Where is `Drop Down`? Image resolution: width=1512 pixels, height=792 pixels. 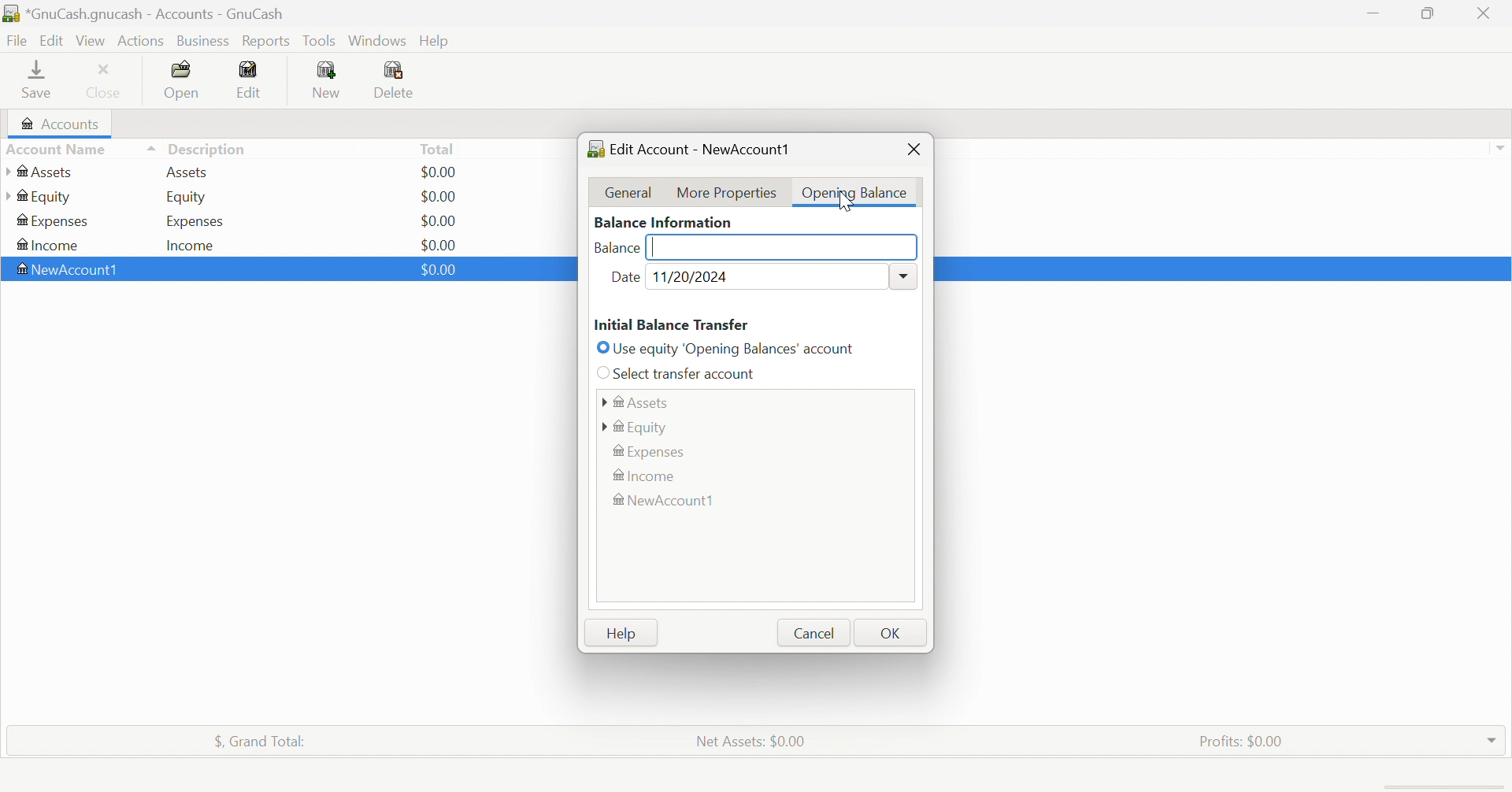 Drop Down is located at coordinates (903, 274).